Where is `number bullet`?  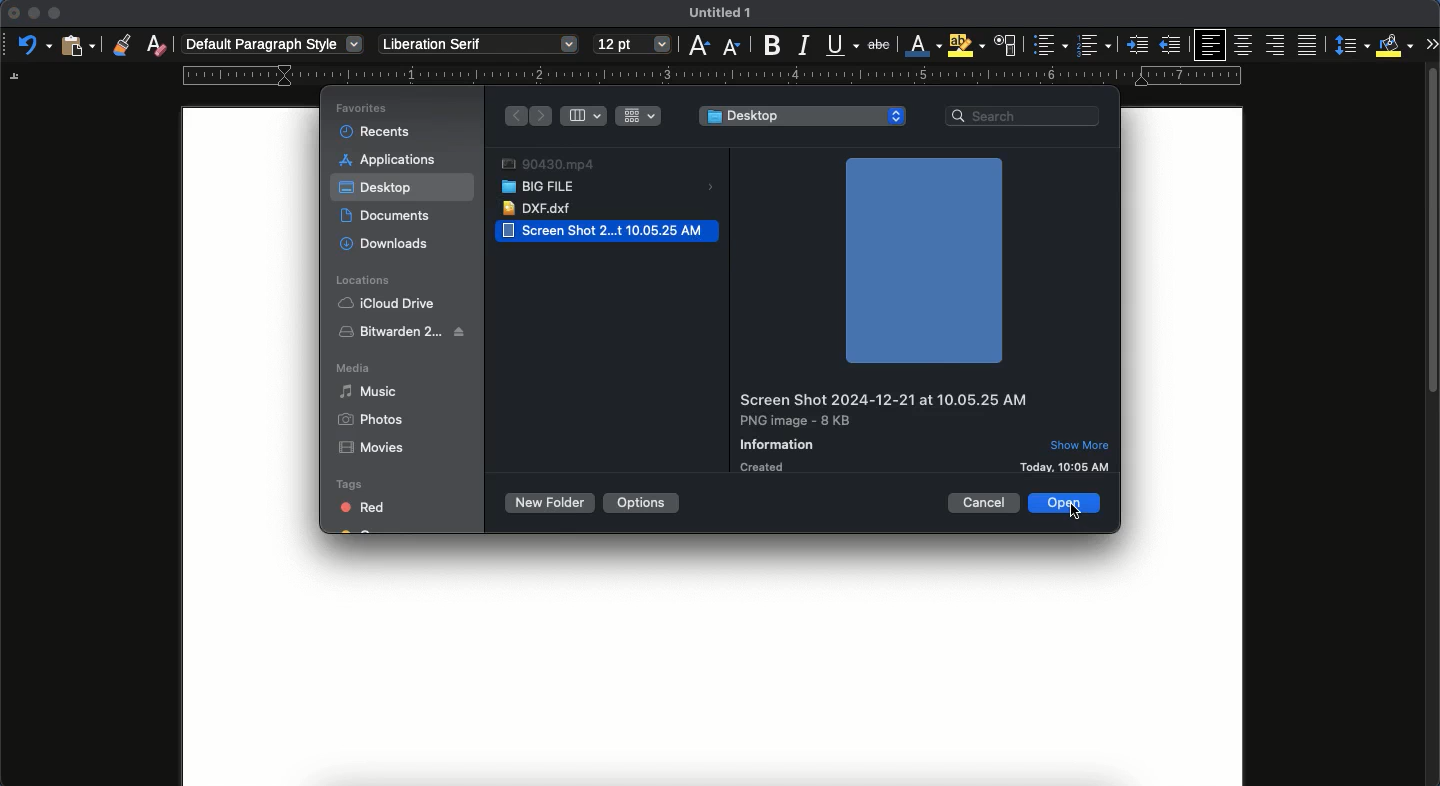 number bullet is located at coordinates (1093, 46).